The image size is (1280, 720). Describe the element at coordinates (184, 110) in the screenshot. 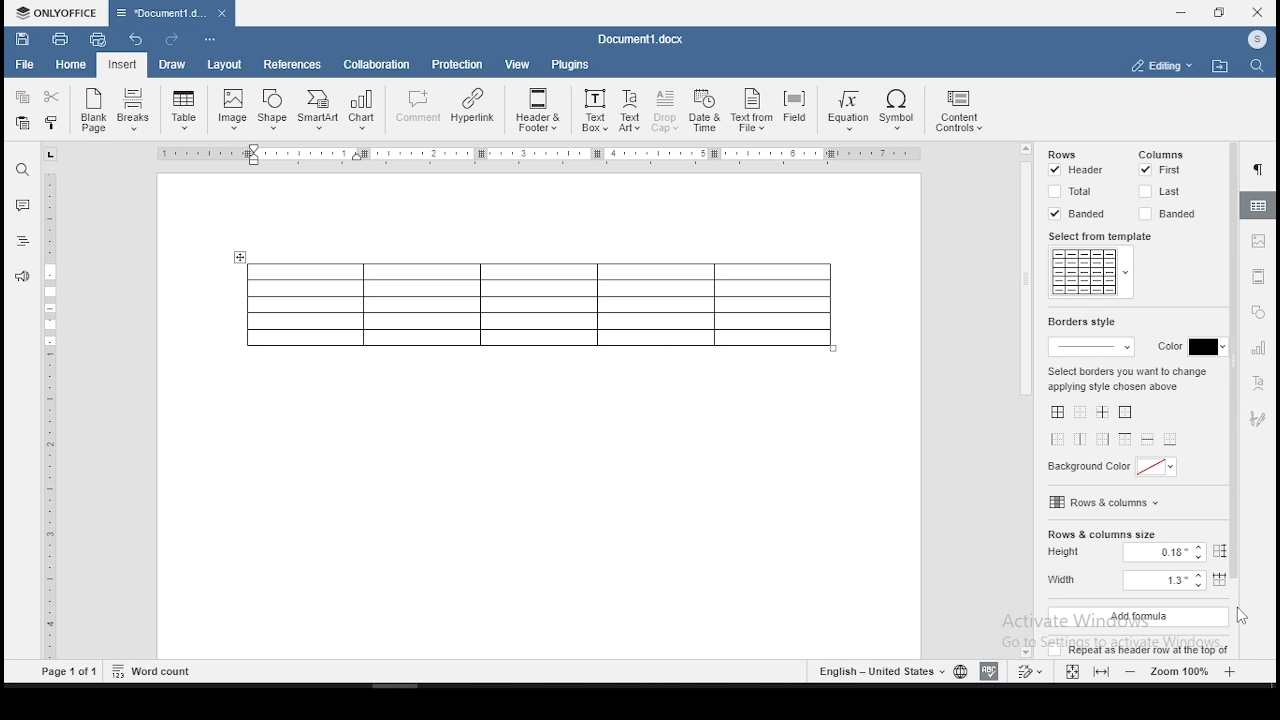

I see `insert a table` at that location.